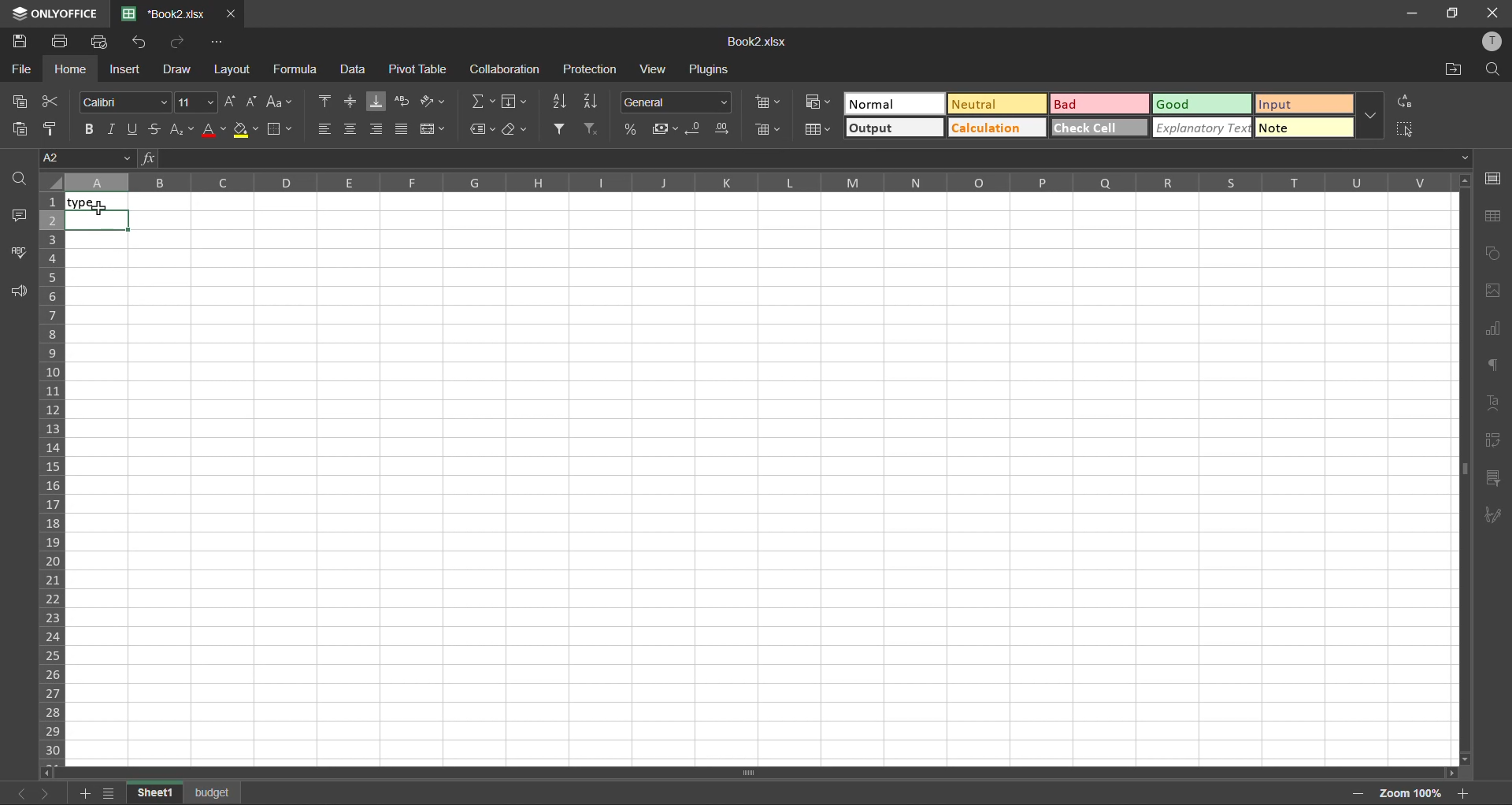 This screenshot has height=805, width=1512. What do you see at coordinates (1303, 129) in the screenshot?
I see `note` at bounding box center [1303, 129].